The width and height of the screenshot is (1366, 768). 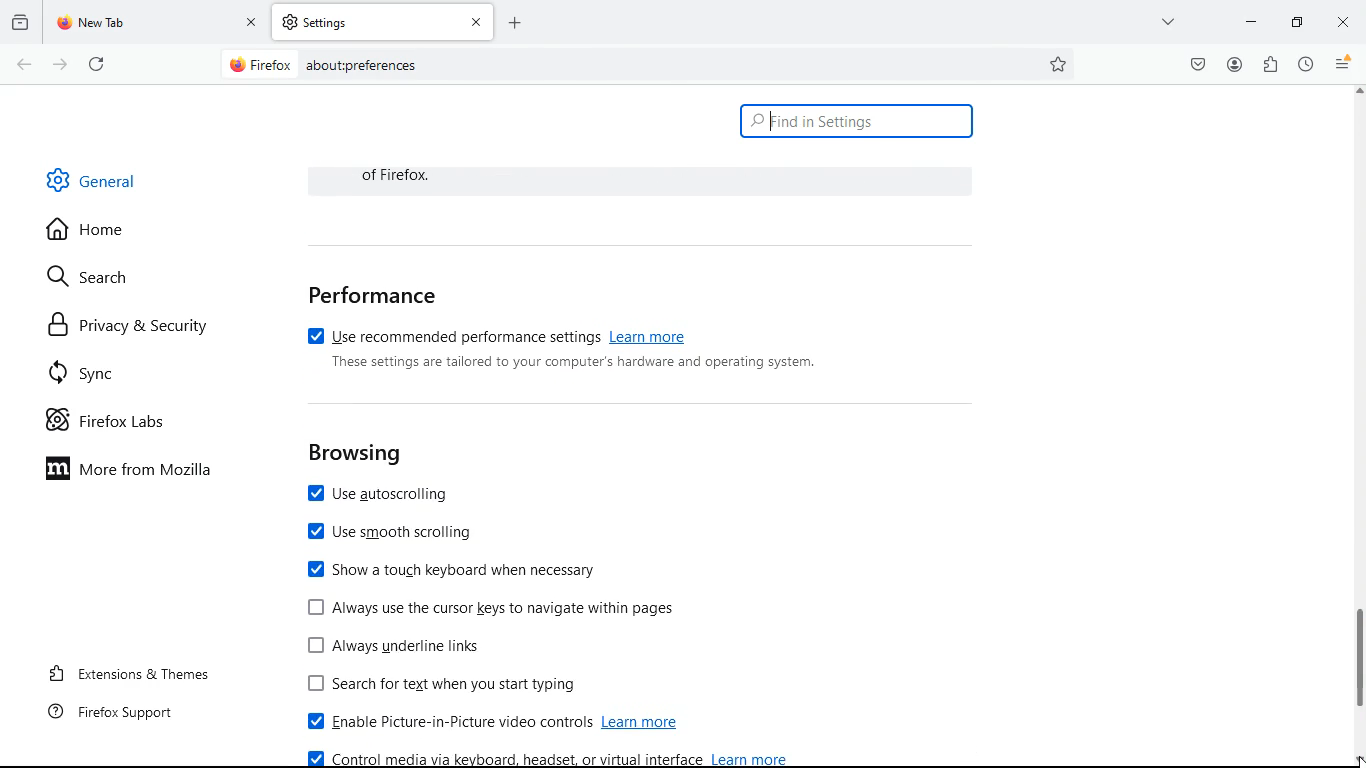 I want to click on @ Firefox, so click(x=259, y=64).